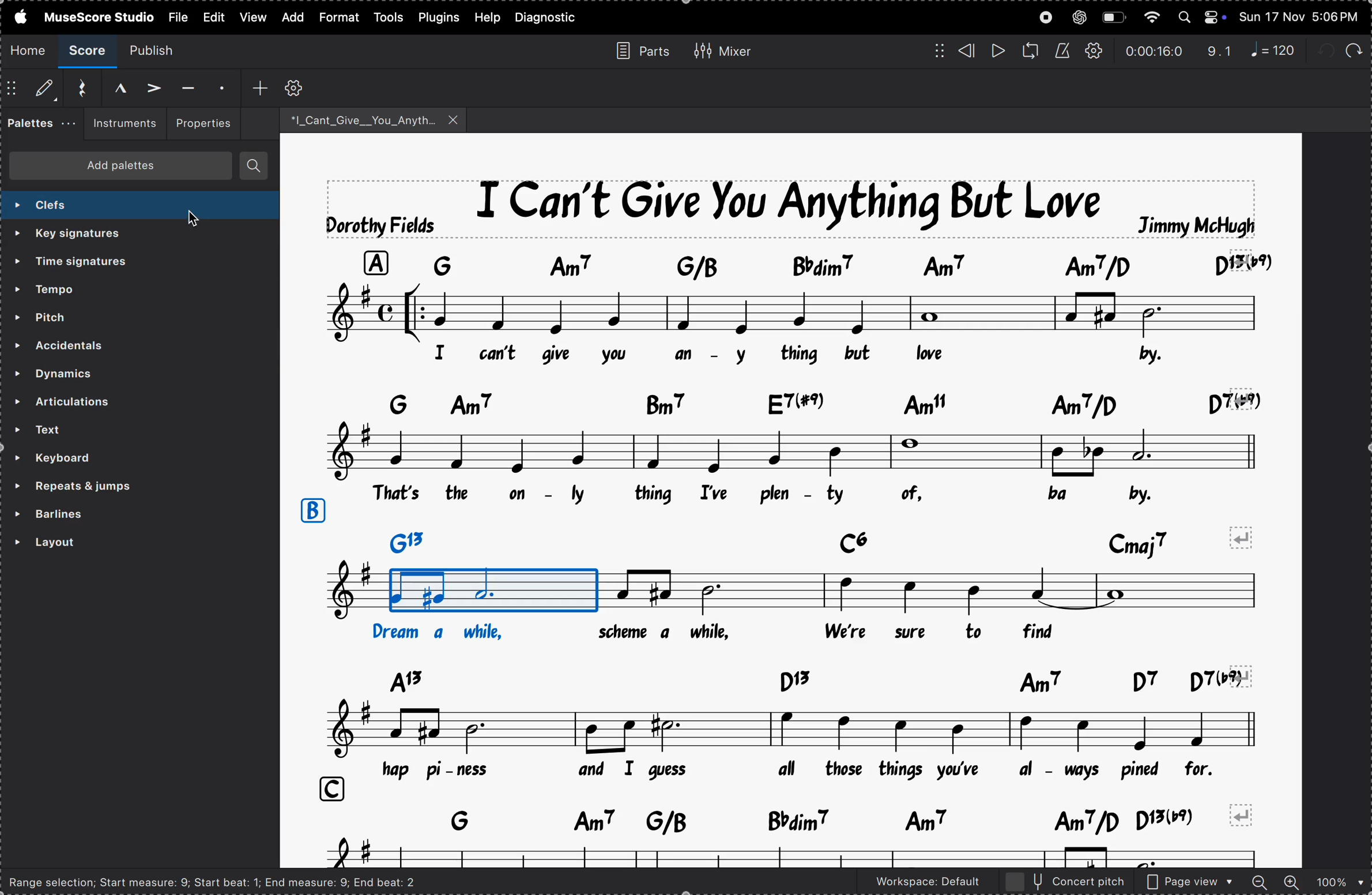  Describe the element at coordinates (260, 87) in the screenshot. I see `add` at that location.